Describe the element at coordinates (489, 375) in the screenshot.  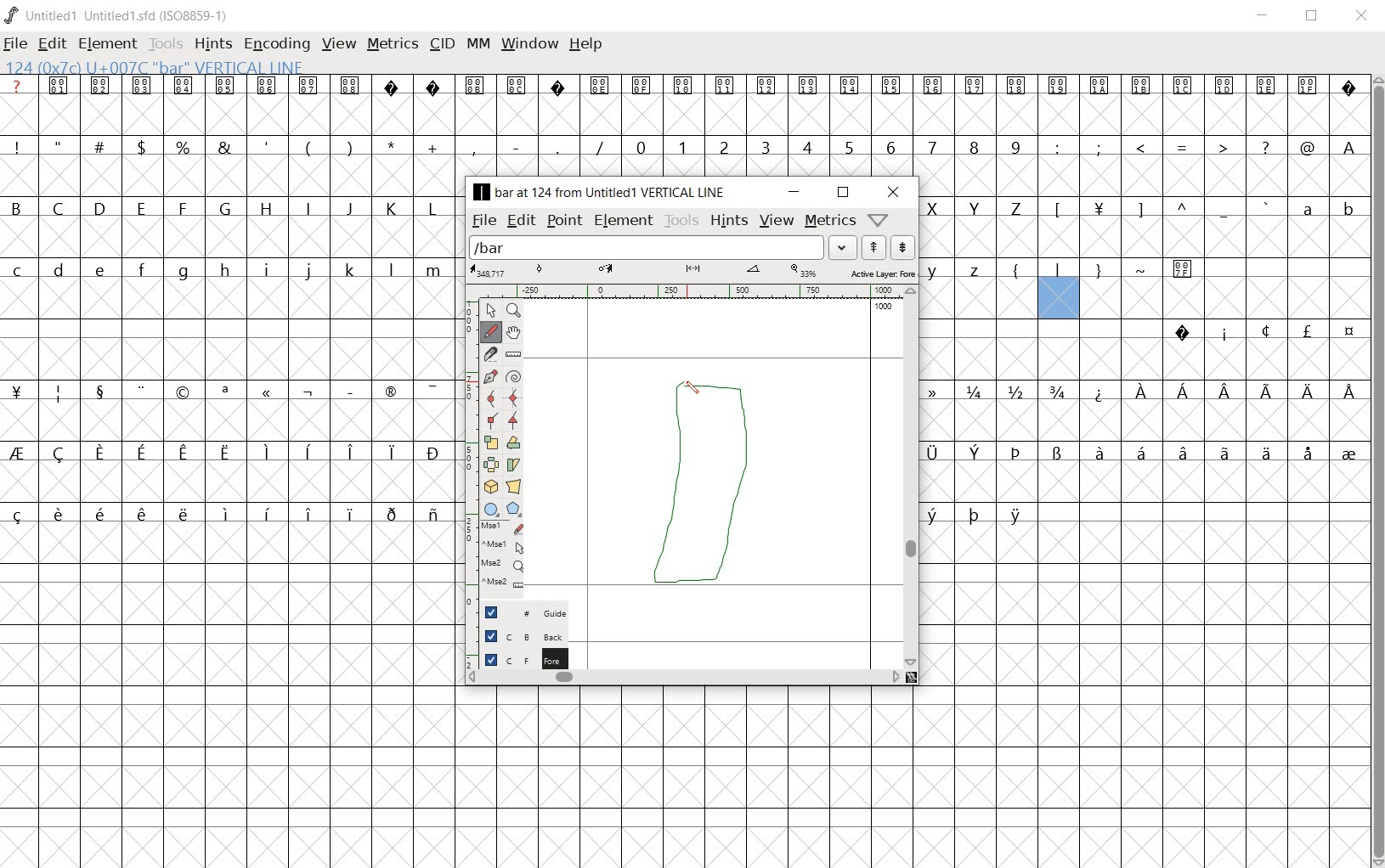
I see `add a point, then drag out its control points` at that location.